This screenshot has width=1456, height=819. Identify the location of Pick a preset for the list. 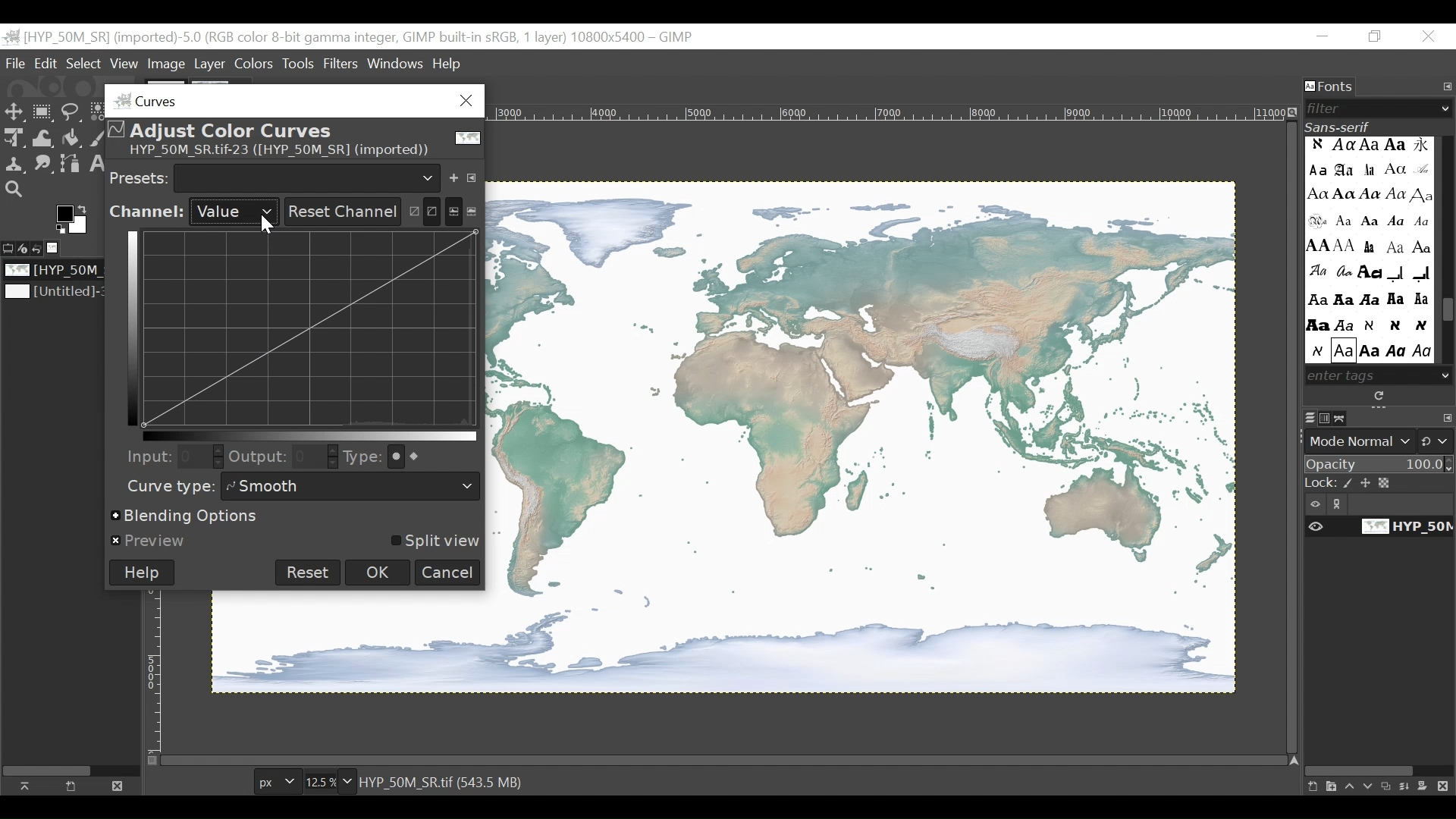
(308, 177).